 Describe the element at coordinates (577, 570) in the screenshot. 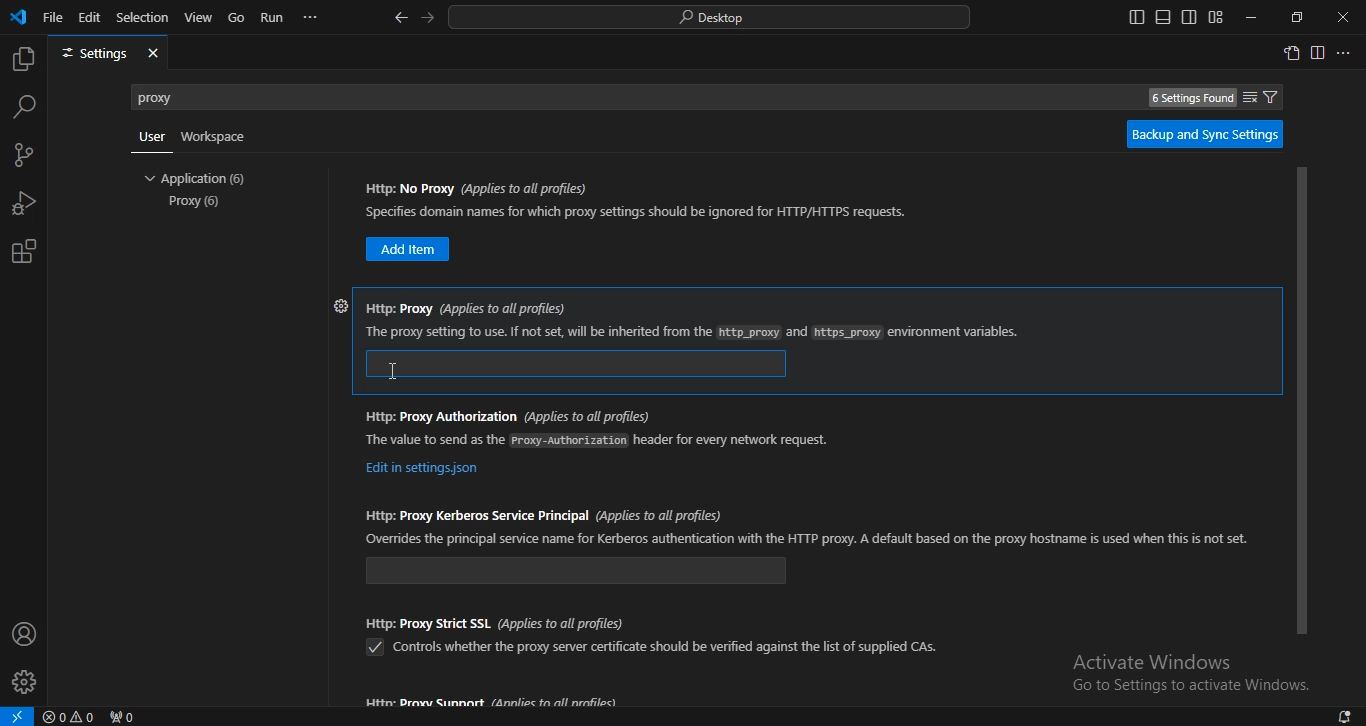

I see `https: proxy kerberos service principal` at that location.